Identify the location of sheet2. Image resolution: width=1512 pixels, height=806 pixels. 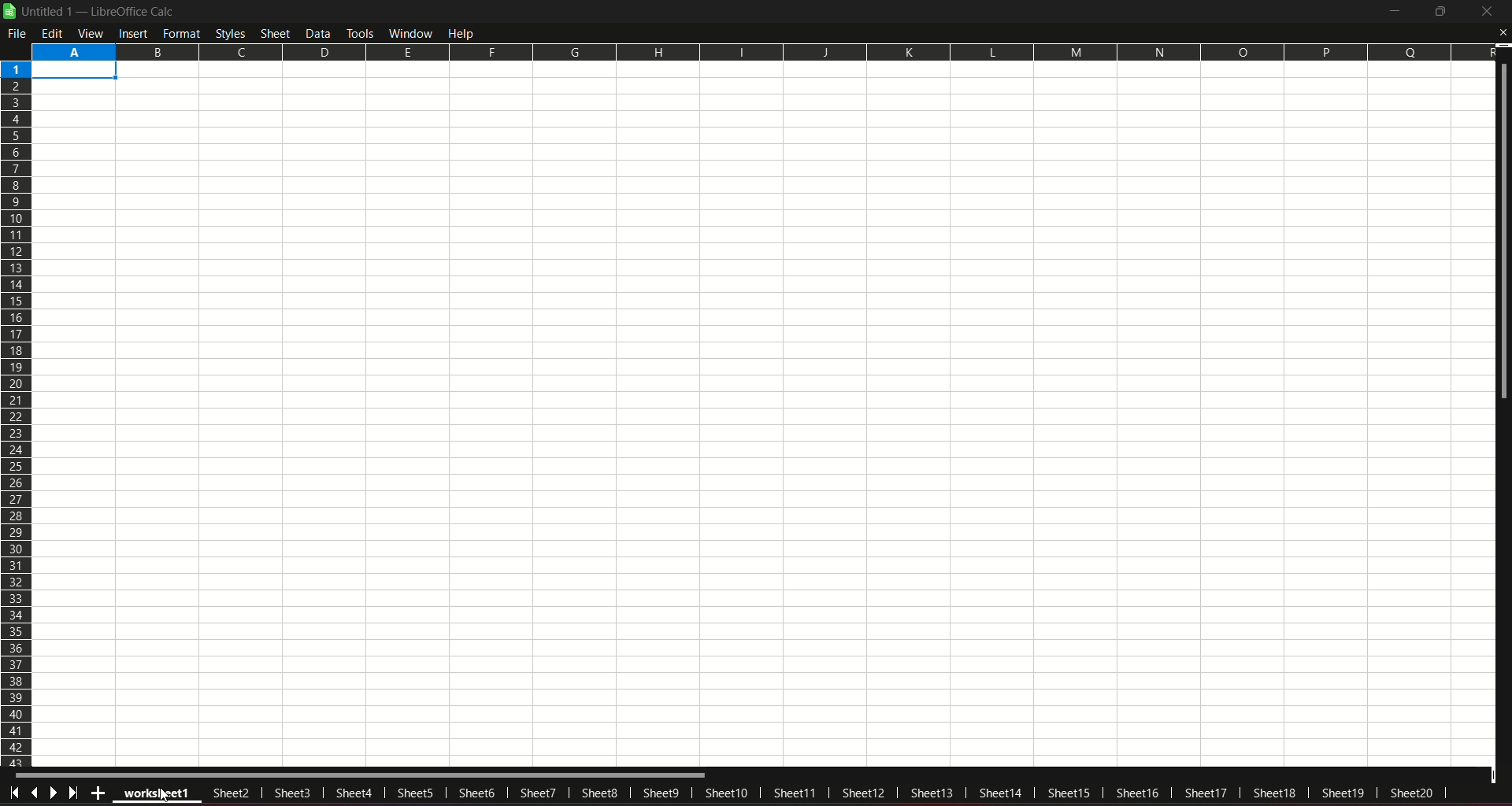
(228, 795).